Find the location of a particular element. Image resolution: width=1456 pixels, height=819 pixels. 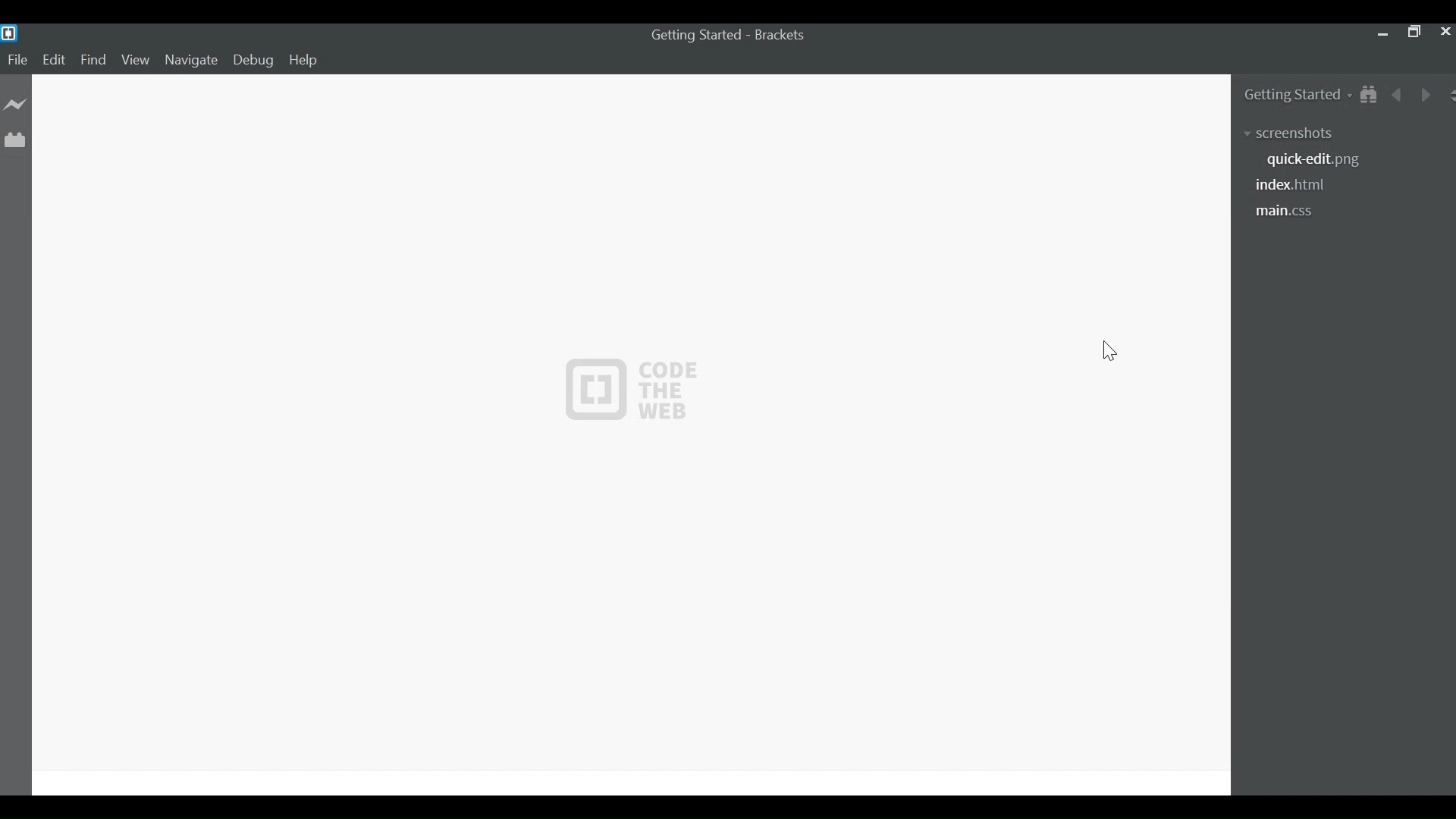

Getting Started is located at coordinates (1296, 97).